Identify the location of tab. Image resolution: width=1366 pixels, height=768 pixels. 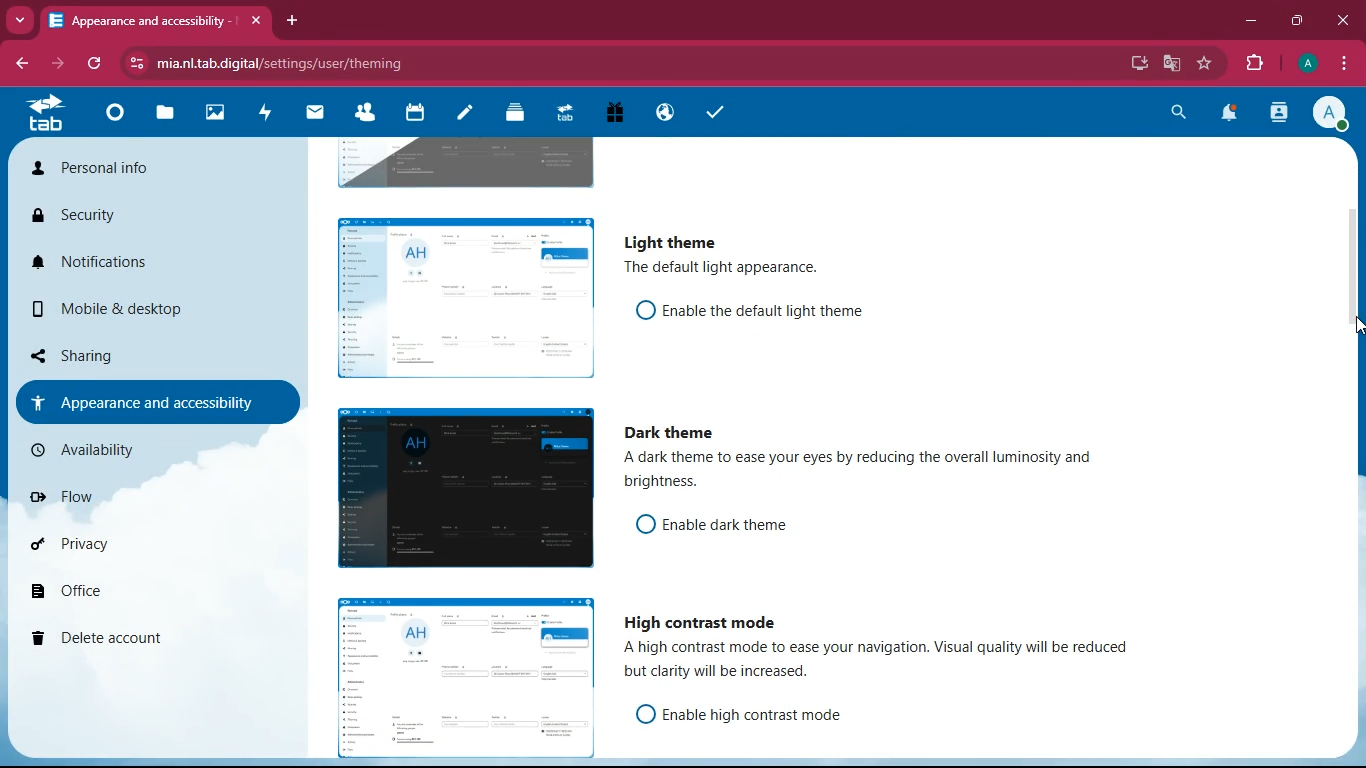
(41, 118).